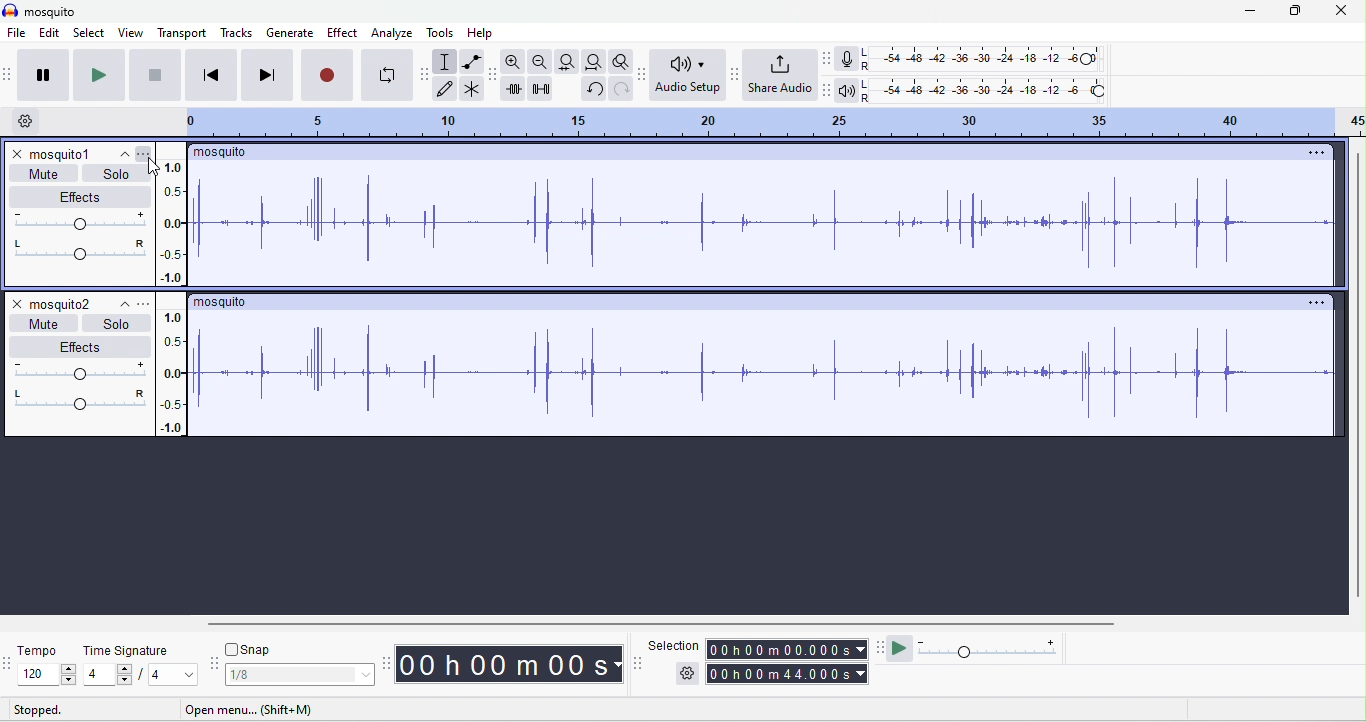  I want to click on snap, so click(259, 648).